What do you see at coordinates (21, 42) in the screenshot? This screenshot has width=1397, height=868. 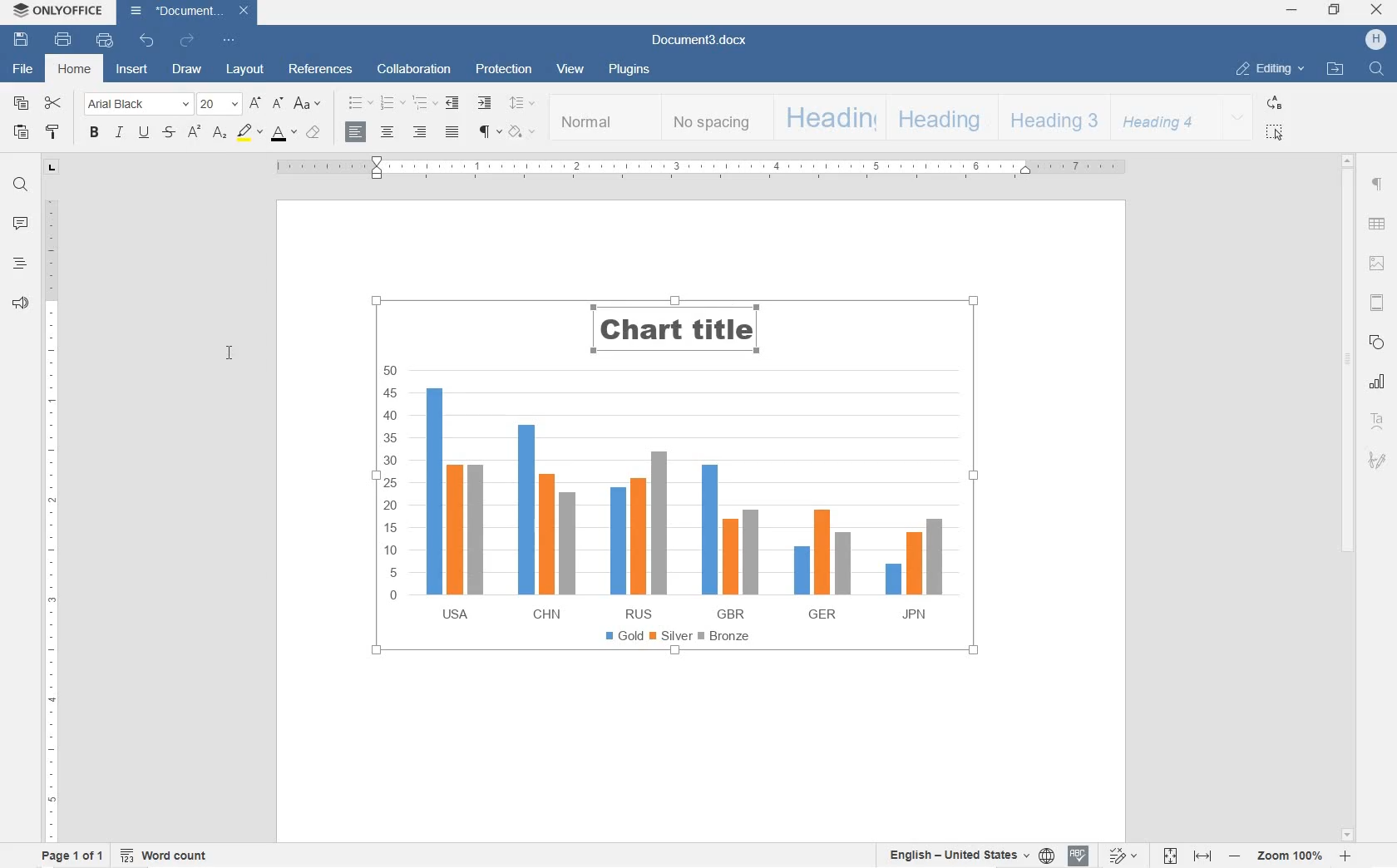 I see `SAVE` at bounding box center [21, 42].